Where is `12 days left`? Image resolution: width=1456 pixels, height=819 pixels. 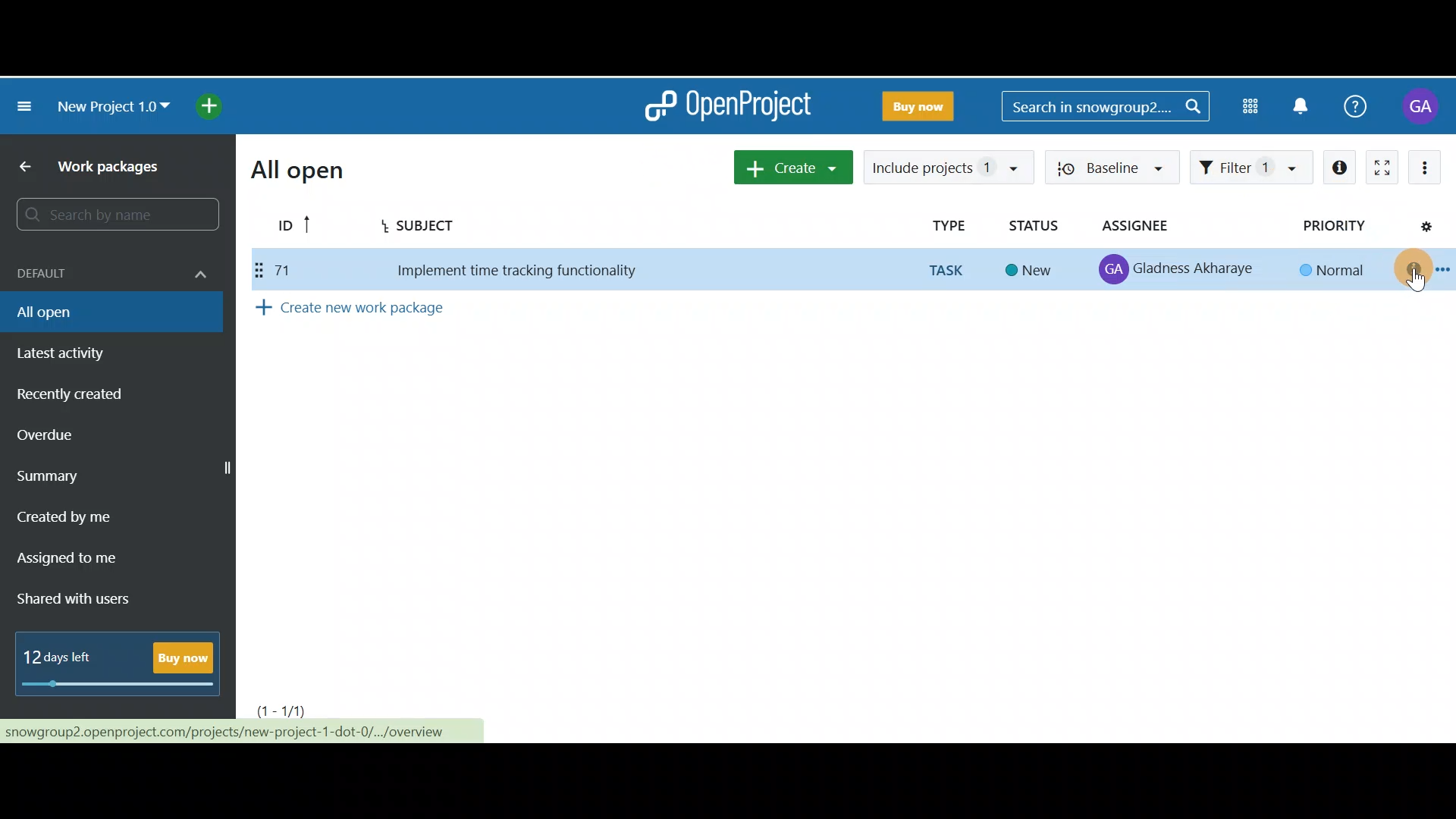 12 days left is located at coordinates (61, 657).